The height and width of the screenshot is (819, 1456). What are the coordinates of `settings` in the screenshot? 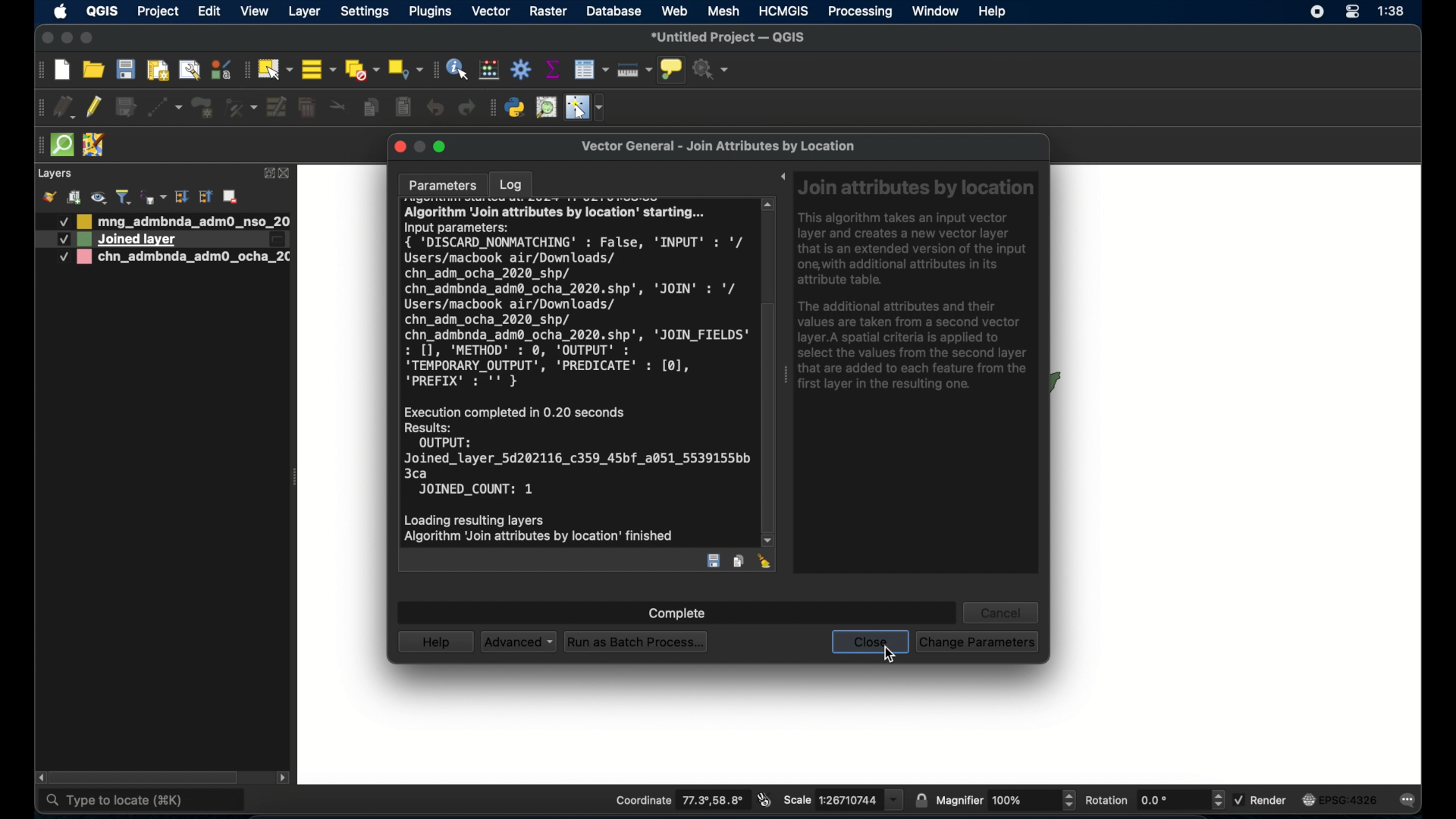 It's located at (366, 12).